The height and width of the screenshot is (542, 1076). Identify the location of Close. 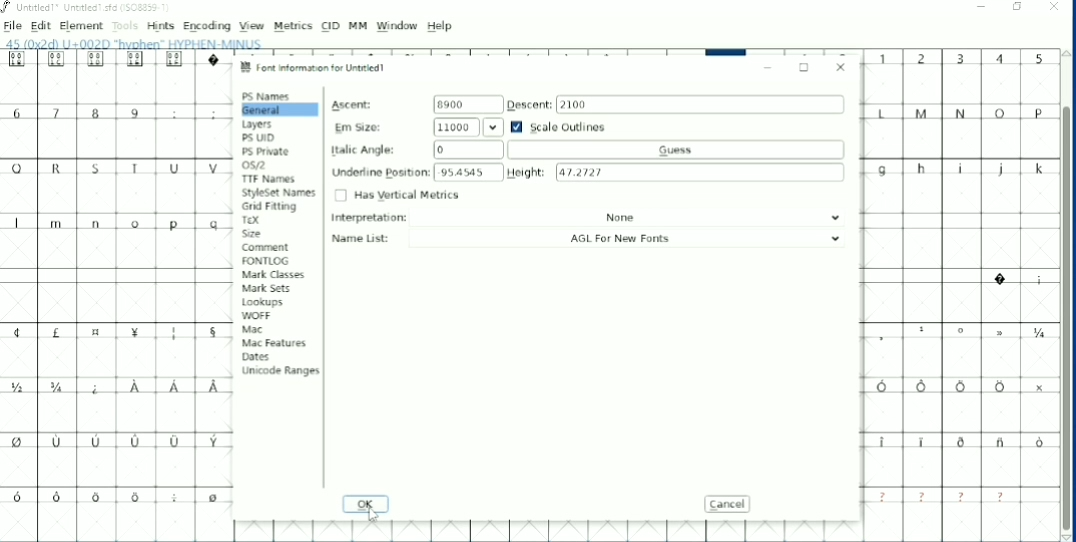
(1054, 9).